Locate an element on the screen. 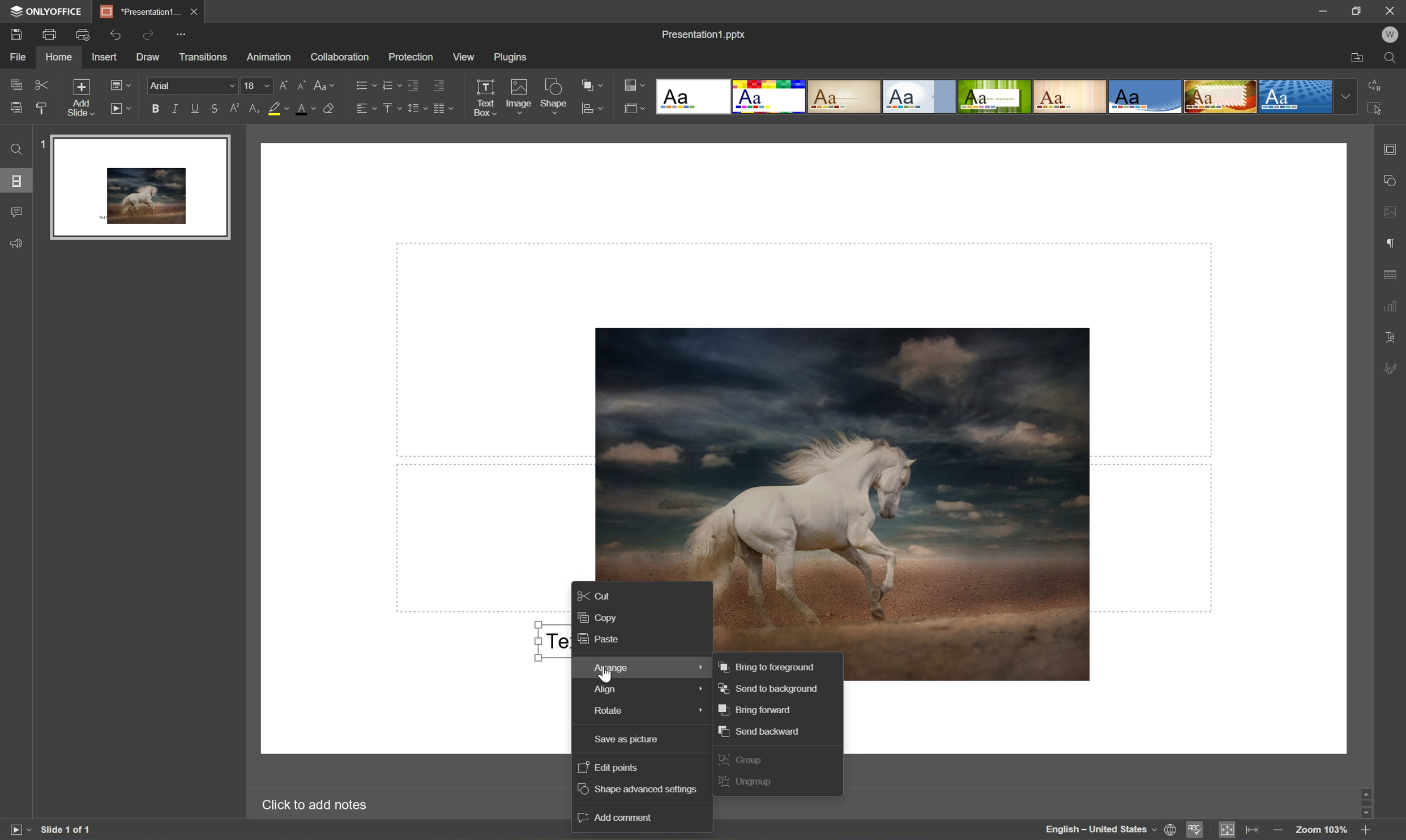 This screenshot has width=1406, height=840. Shape is located at coordinates (554, 98).